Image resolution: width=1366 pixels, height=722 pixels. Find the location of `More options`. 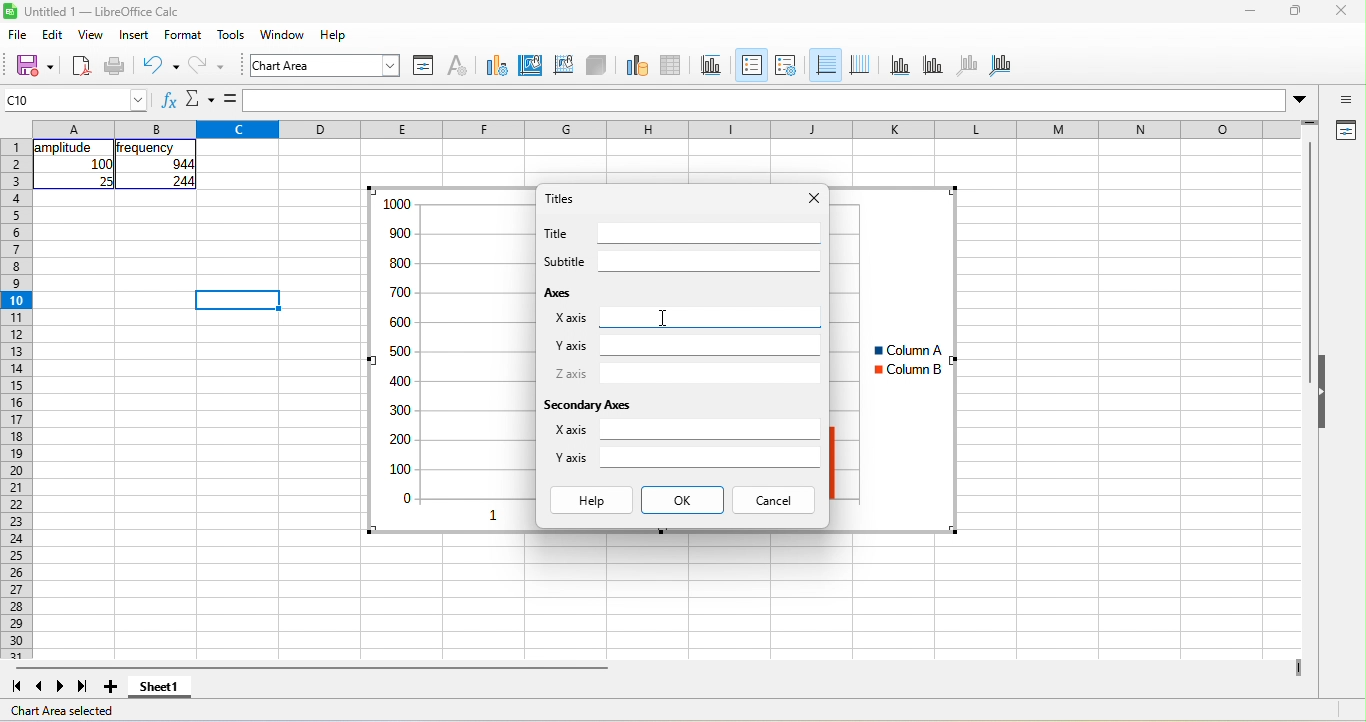

More options is located at coordinates (1299, 101).